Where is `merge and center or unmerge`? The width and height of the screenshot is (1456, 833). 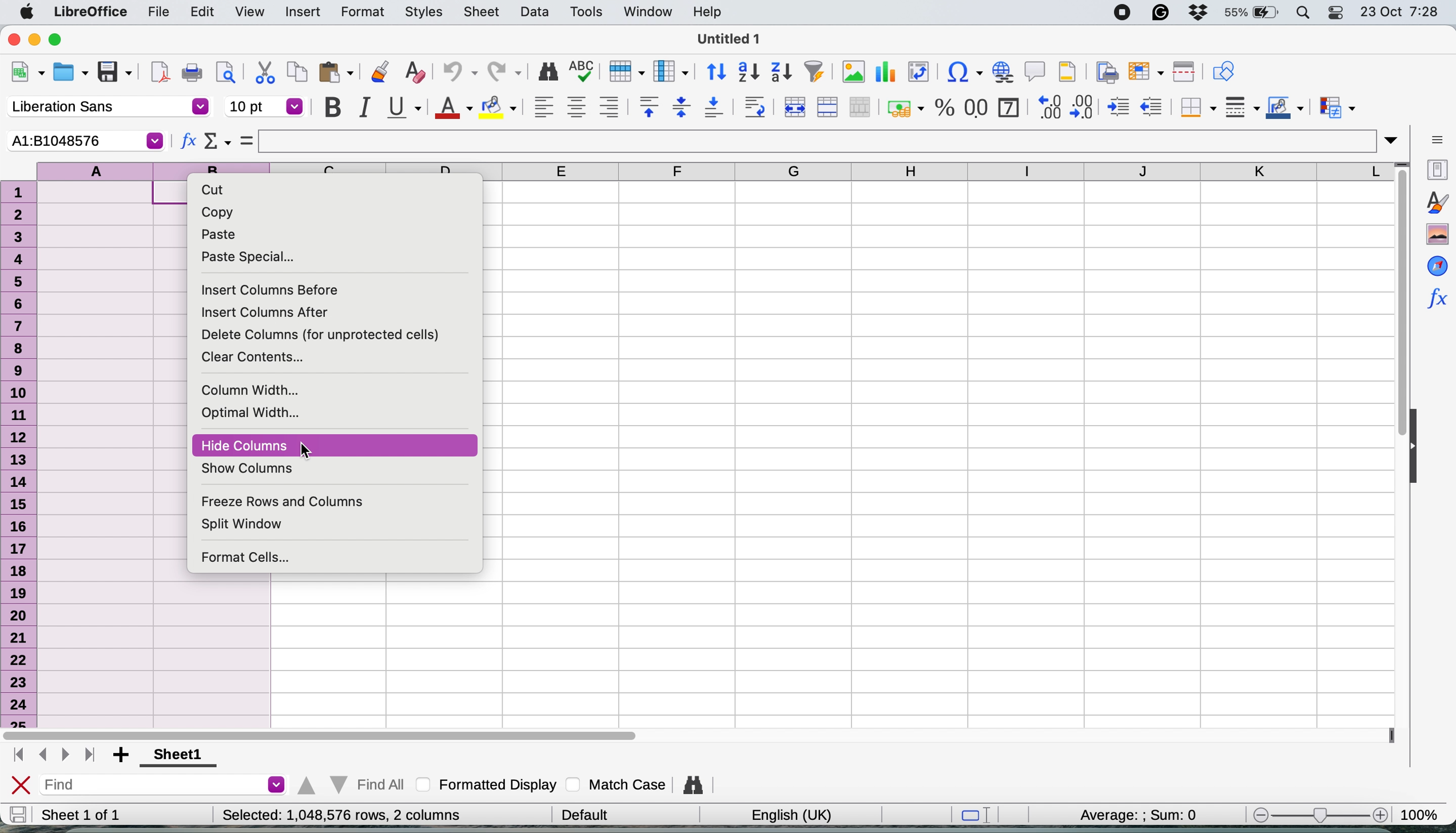 merge and center or unmerge is located at coordinates (795, 108).